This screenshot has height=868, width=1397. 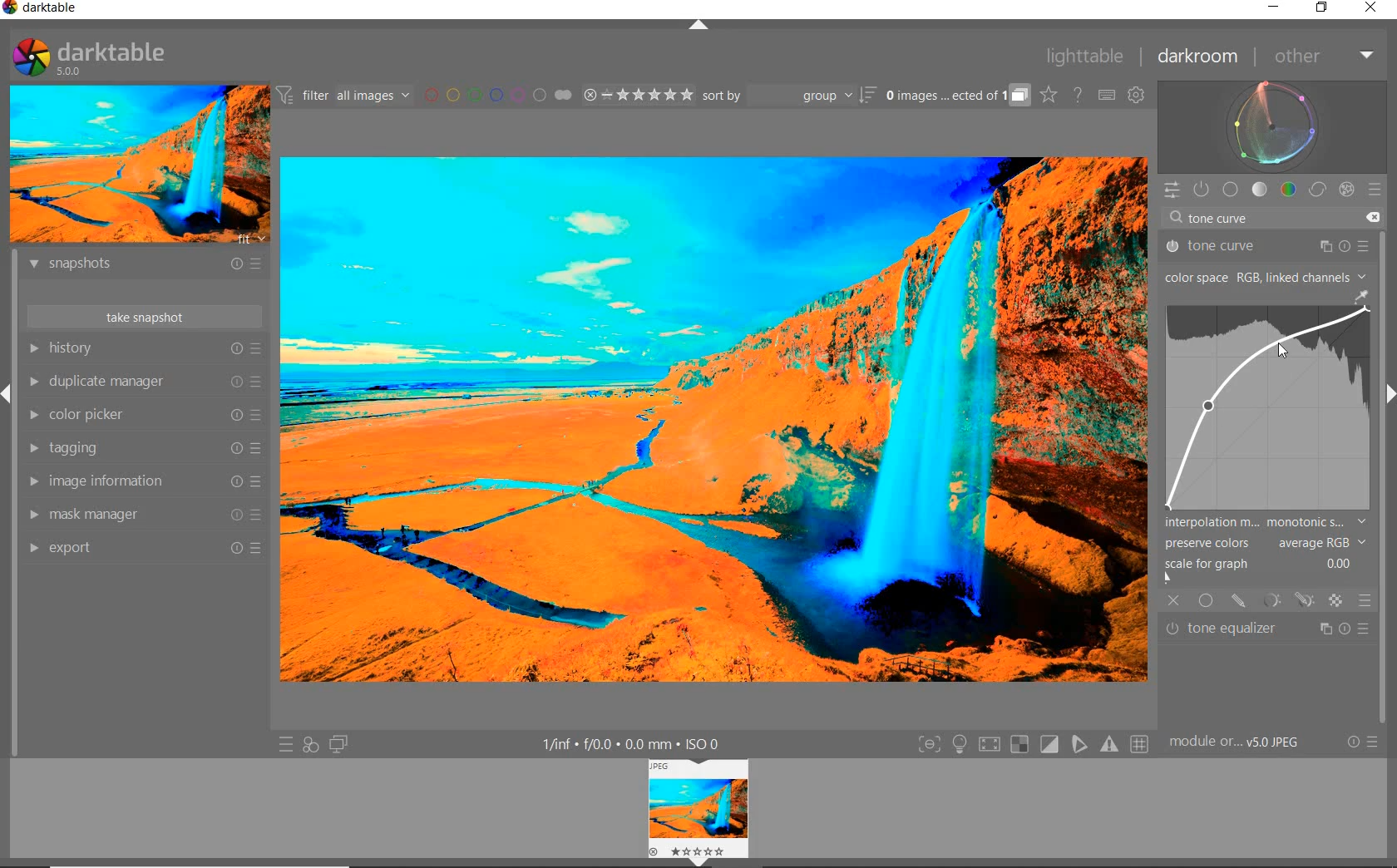 I want to click on SCALE FOR GRAPH, so click(x=1261, y=572).